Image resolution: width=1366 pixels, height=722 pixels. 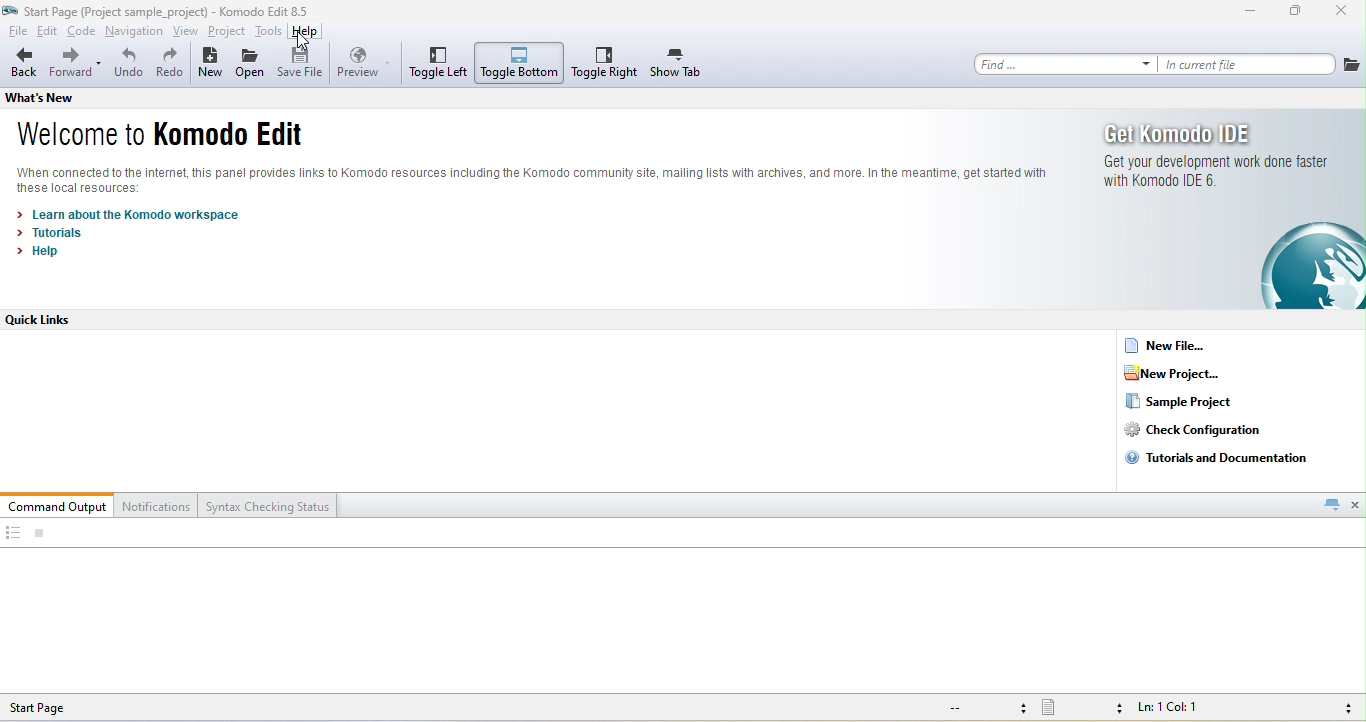 What do you see at coordinates (1352, 64) in the screenshot?
I see `file` at bounding box center [1352, 64].